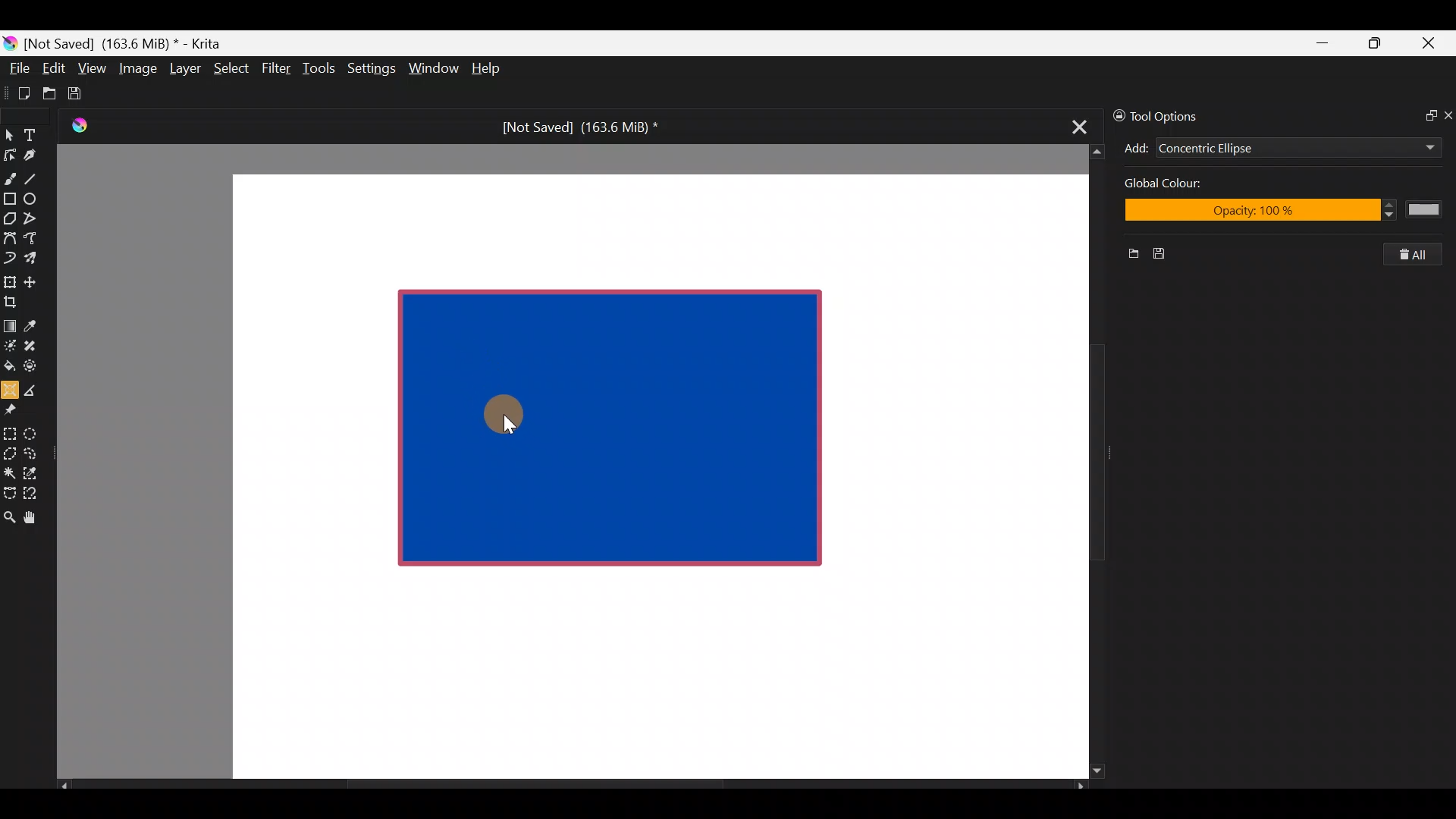  What do you see at coordinates (77, 125) in the screenshot?
I see `Krita Logo` at bounding box center [77, 125].